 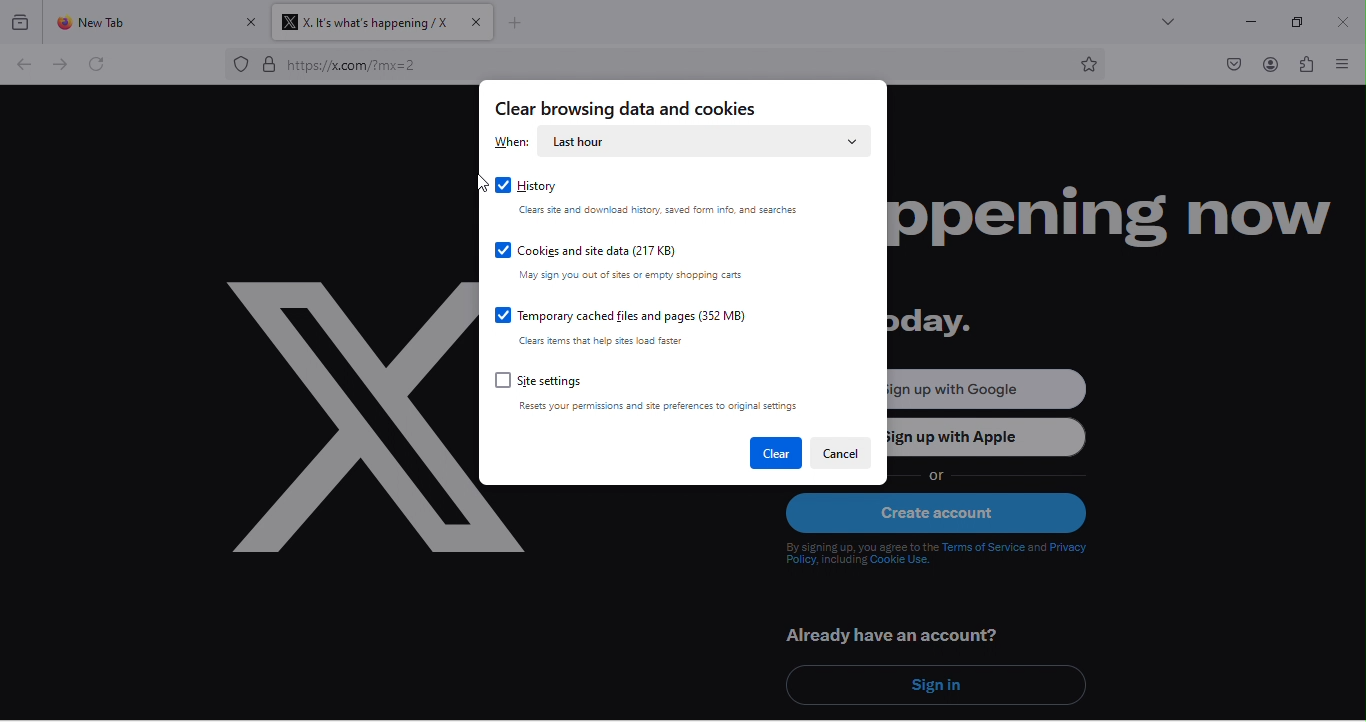 I want to click on happening now, so click(x=1126, y=214).